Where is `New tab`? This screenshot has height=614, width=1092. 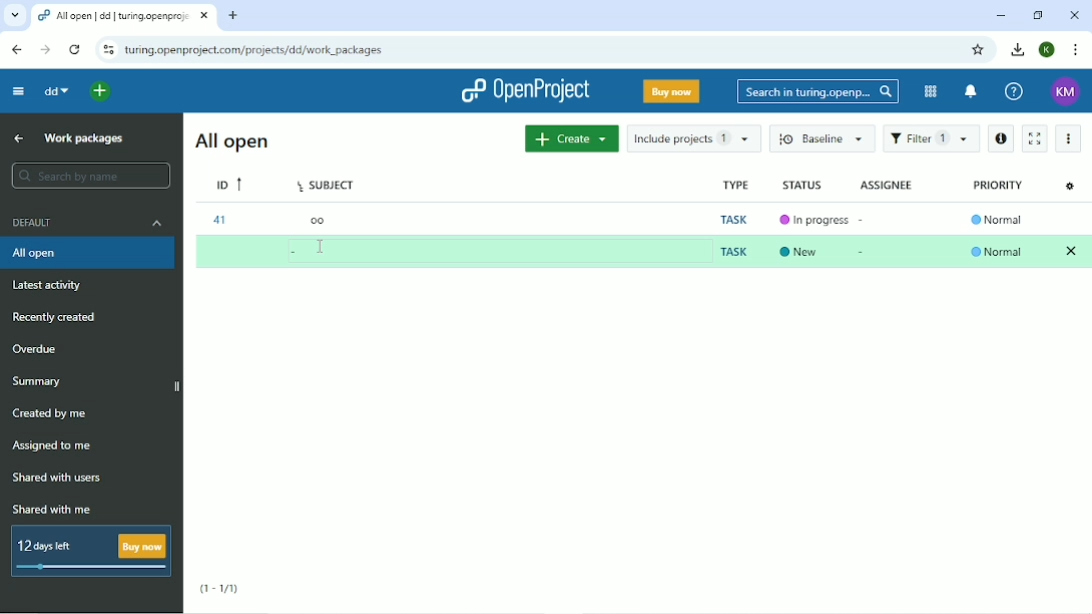
New tab is located at coordinates (233, 16).